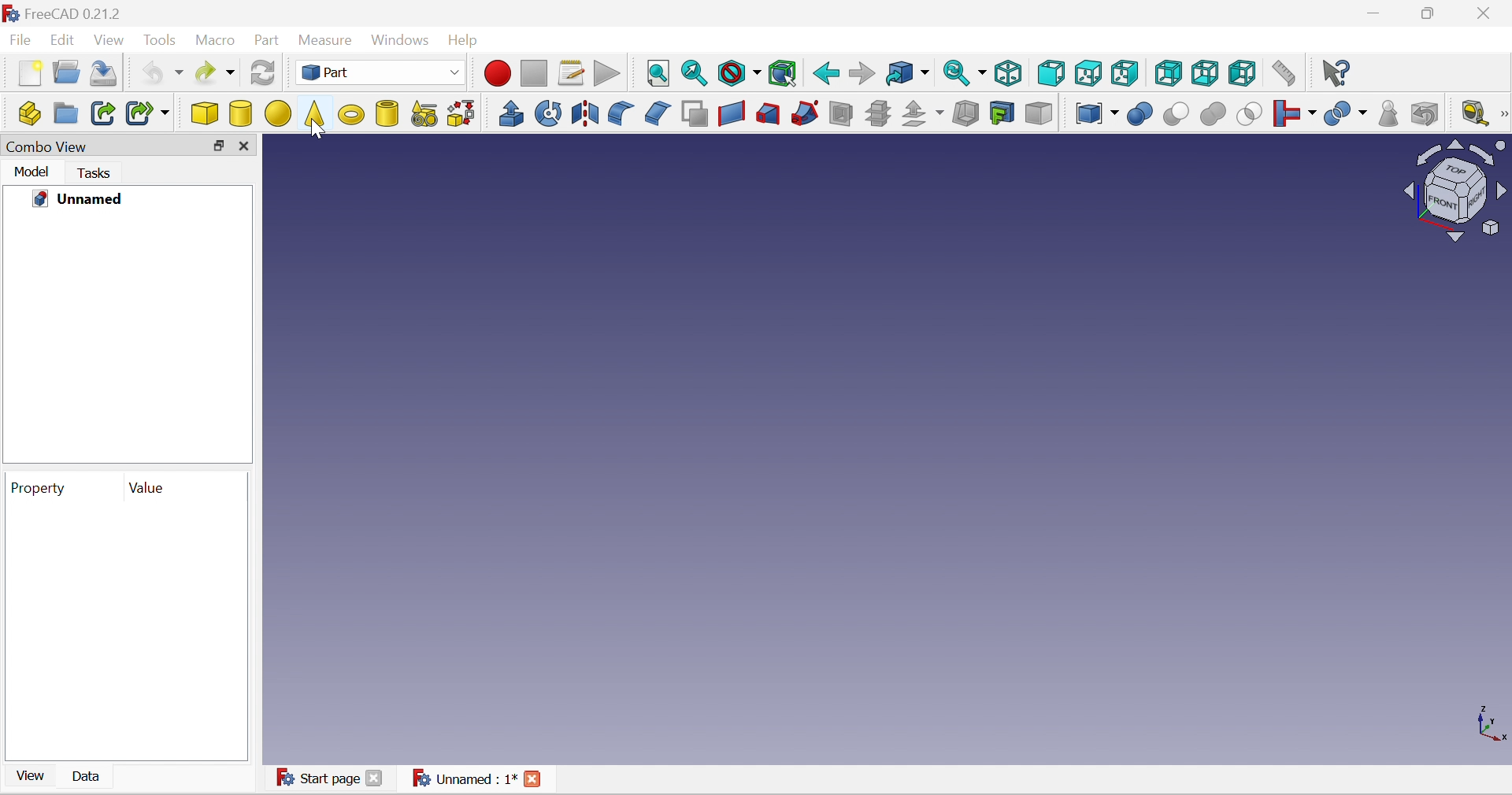  What do you see at coordinates (572, 73) in the screenshot?
I see `Macros` at bounding box center [572, 73].